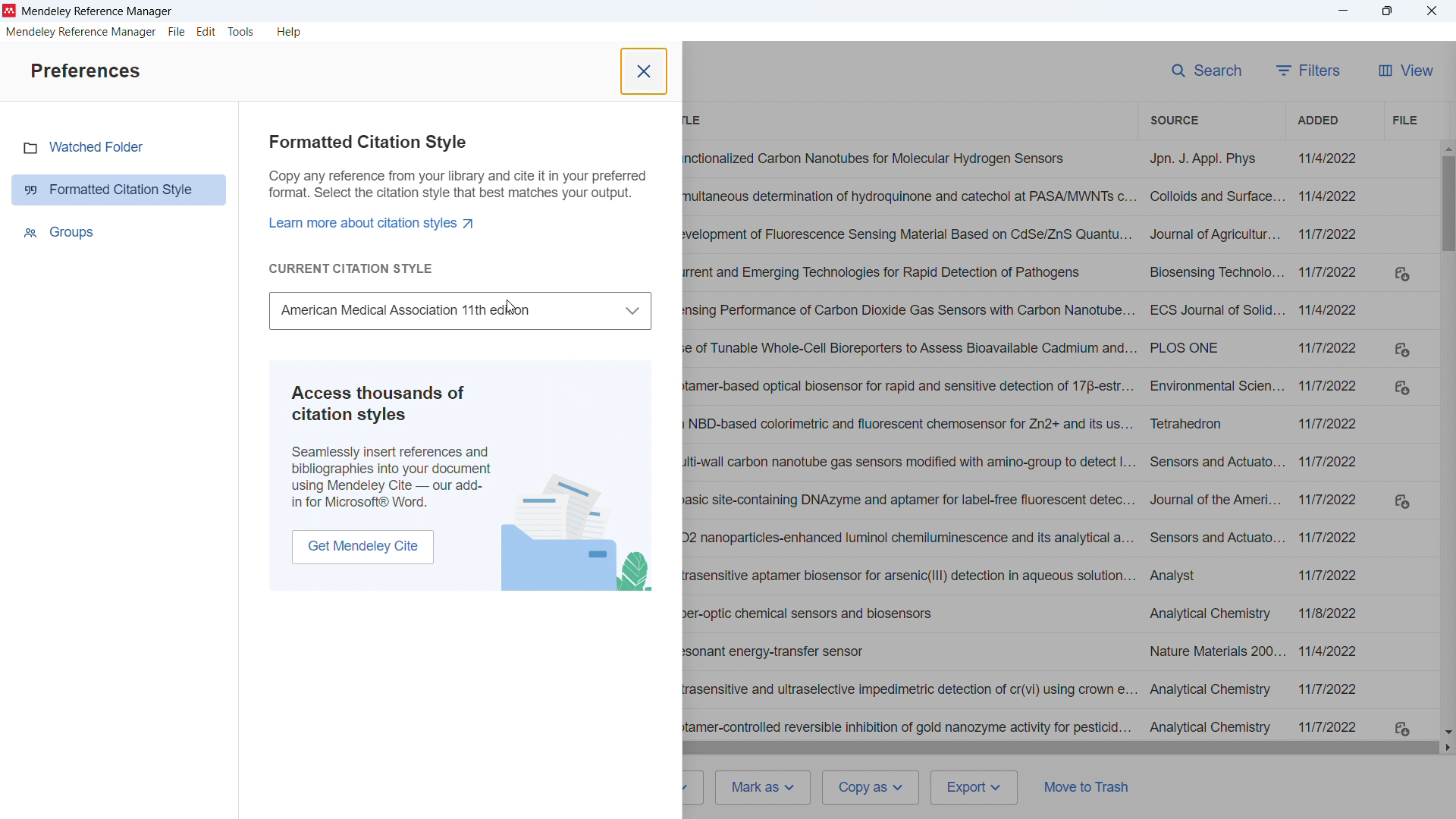  Describe the element at coordinates (1332, 443) in the screenshot. I see `Date of addition of individual entries` at that location.